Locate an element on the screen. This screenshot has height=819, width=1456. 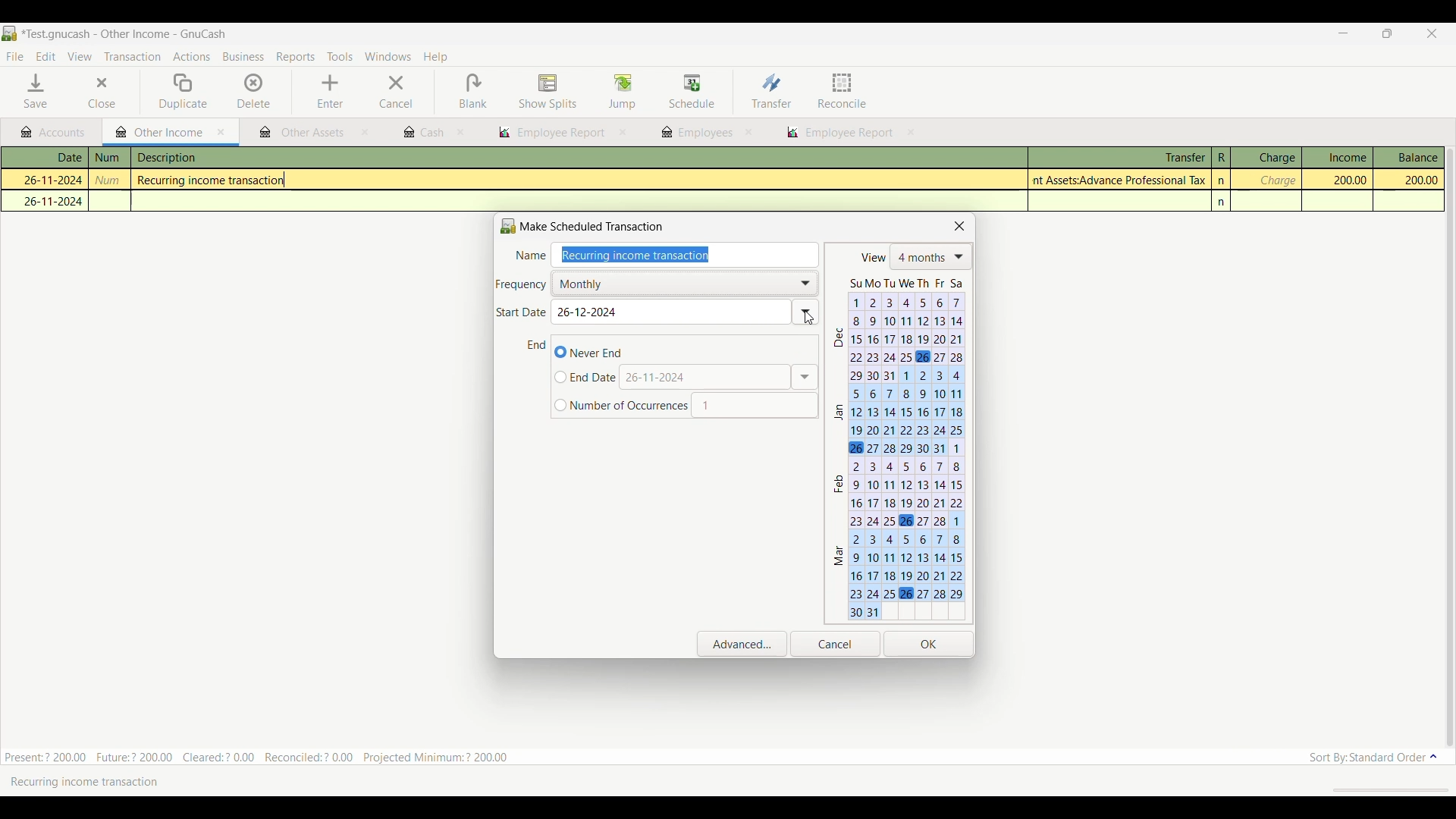
scroll is located at coordinates (1382, 789).